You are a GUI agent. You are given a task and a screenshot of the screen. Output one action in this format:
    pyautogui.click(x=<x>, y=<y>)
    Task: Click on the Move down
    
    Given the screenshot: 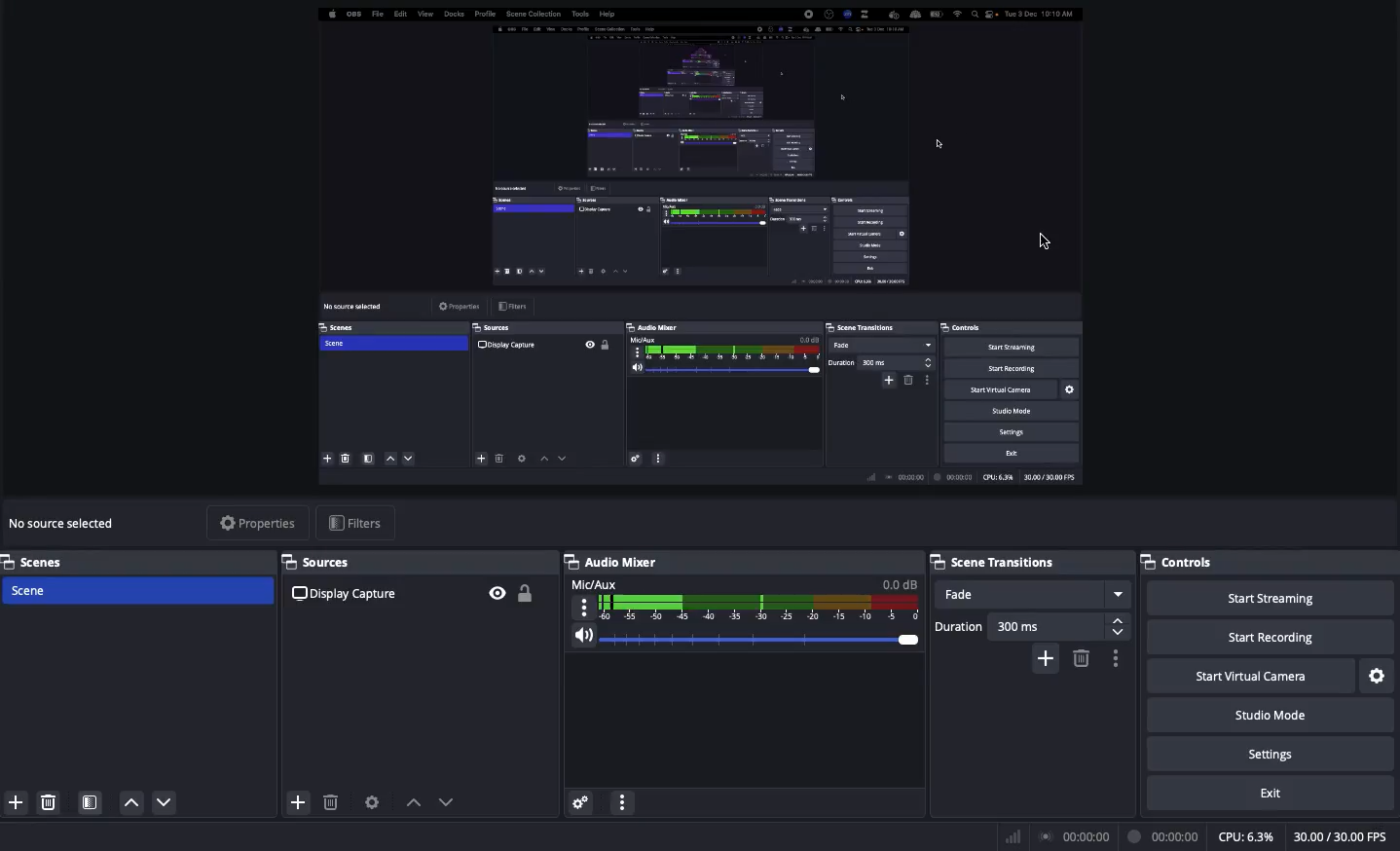 What is the action you would take?
    pyautogui.click(x=166, y=802)
    